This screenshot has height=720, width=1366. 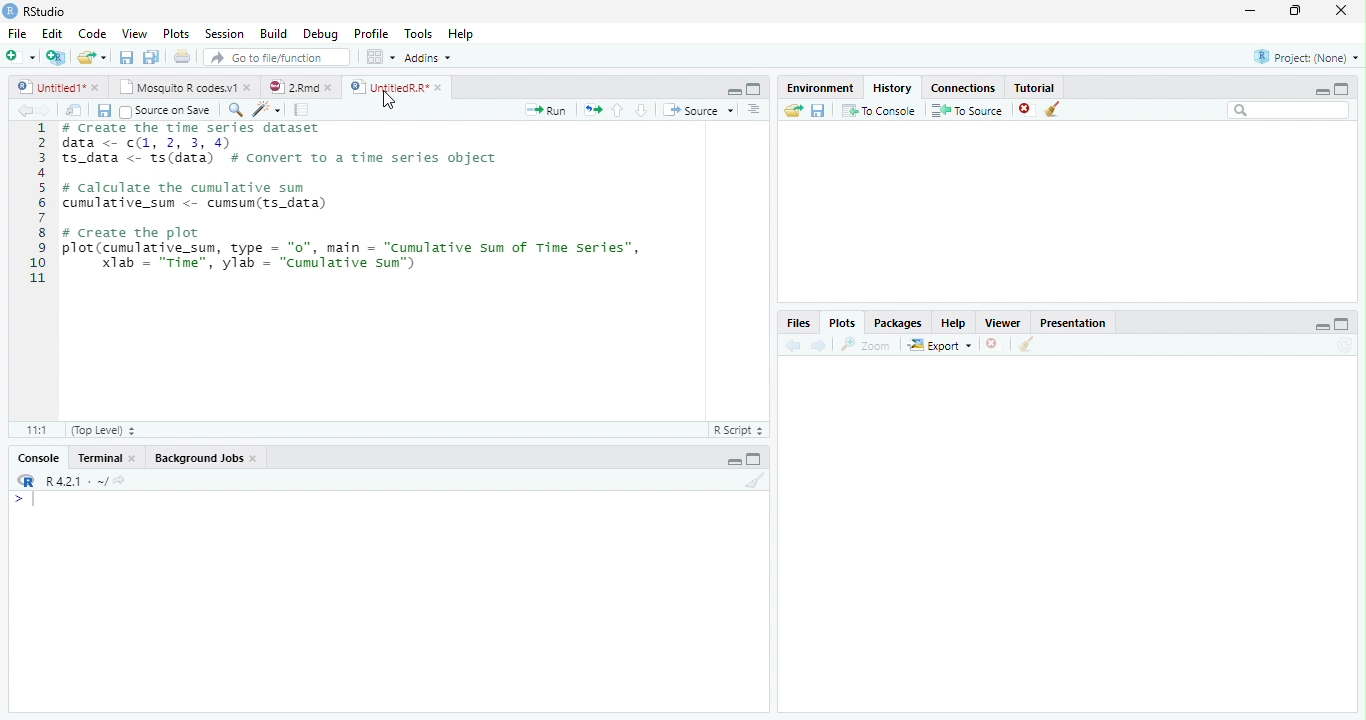 What do you see at coordinates (184, 58) in the screenshot?
I see `Print` at bounding box center [184, 58].